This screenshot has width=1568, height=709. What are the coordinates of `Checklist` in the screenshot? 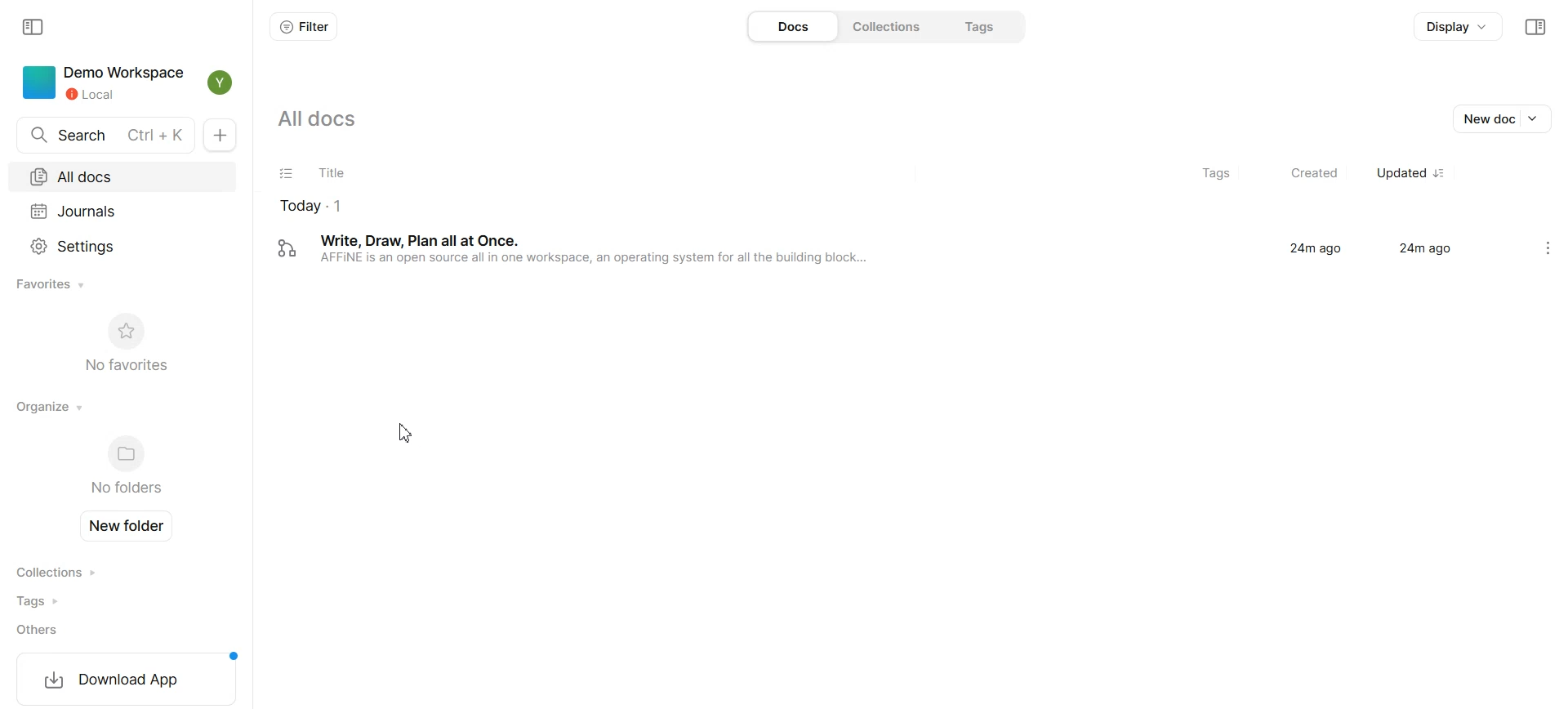 It's located at (287, 173).